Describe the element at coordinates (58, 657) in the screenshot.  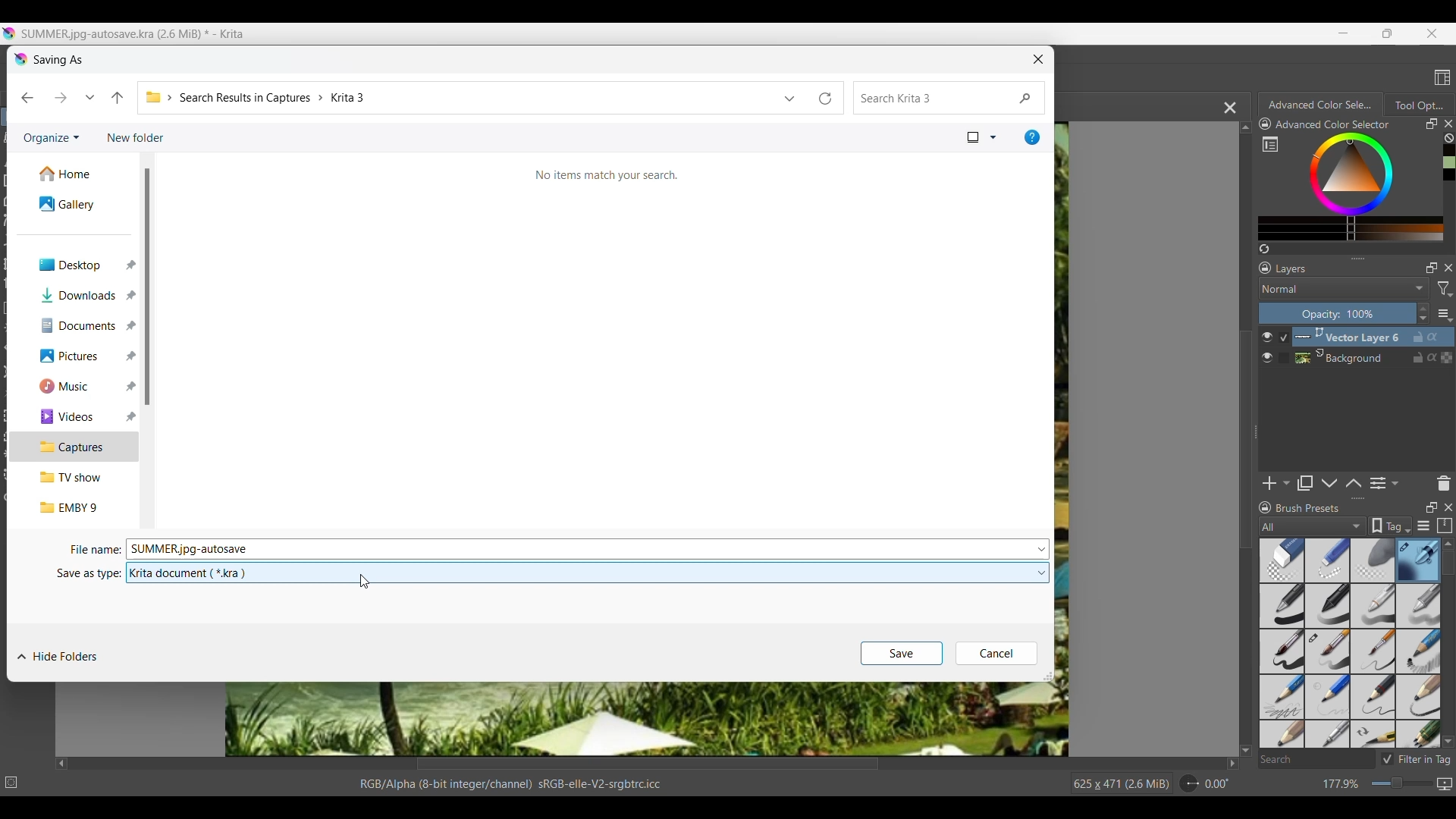
I see `Hide folders currently visible` at that location.